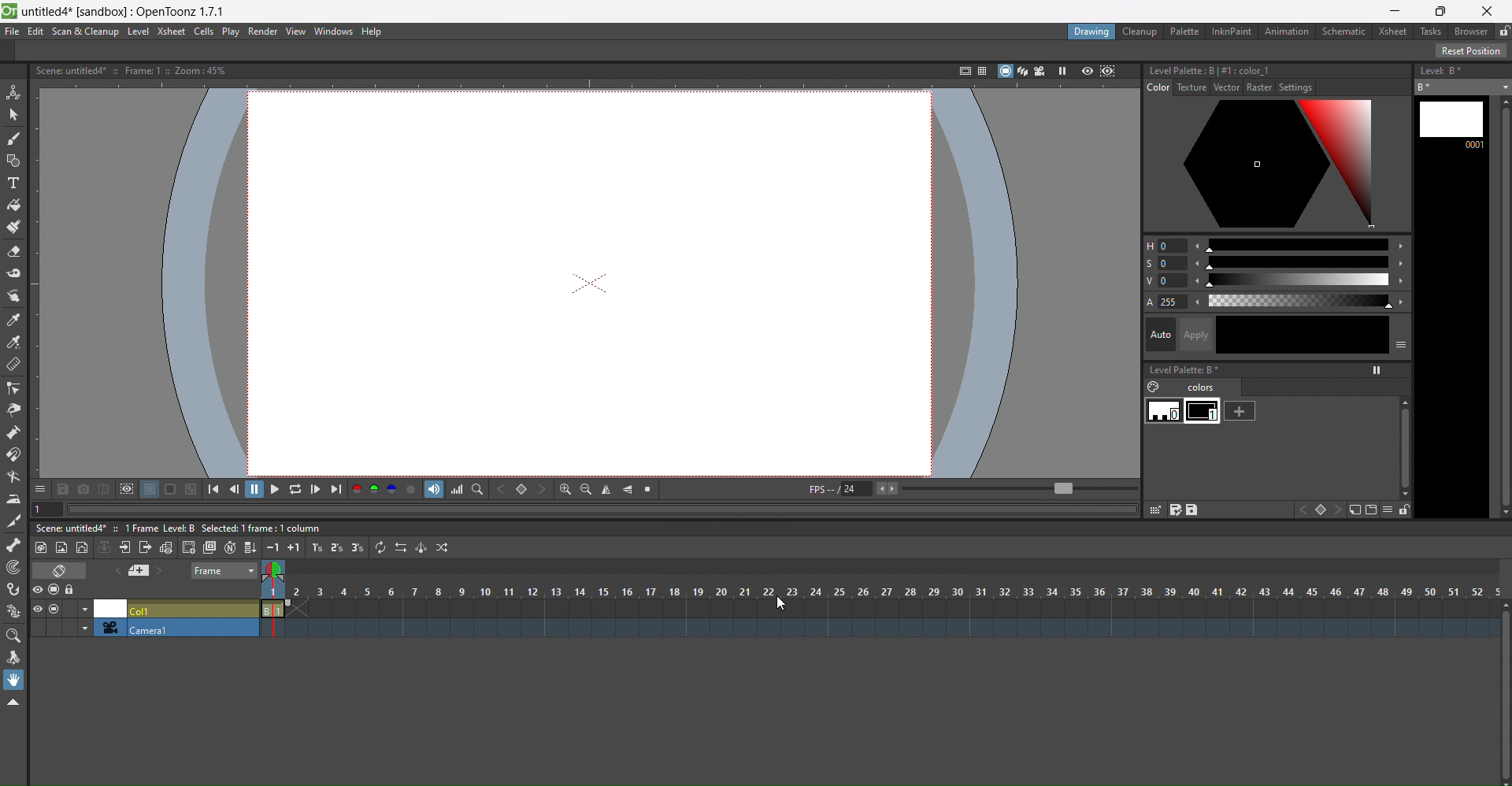 This screenshot has width=1512, height=786. I want to click on level palette, so click(1198, 371).